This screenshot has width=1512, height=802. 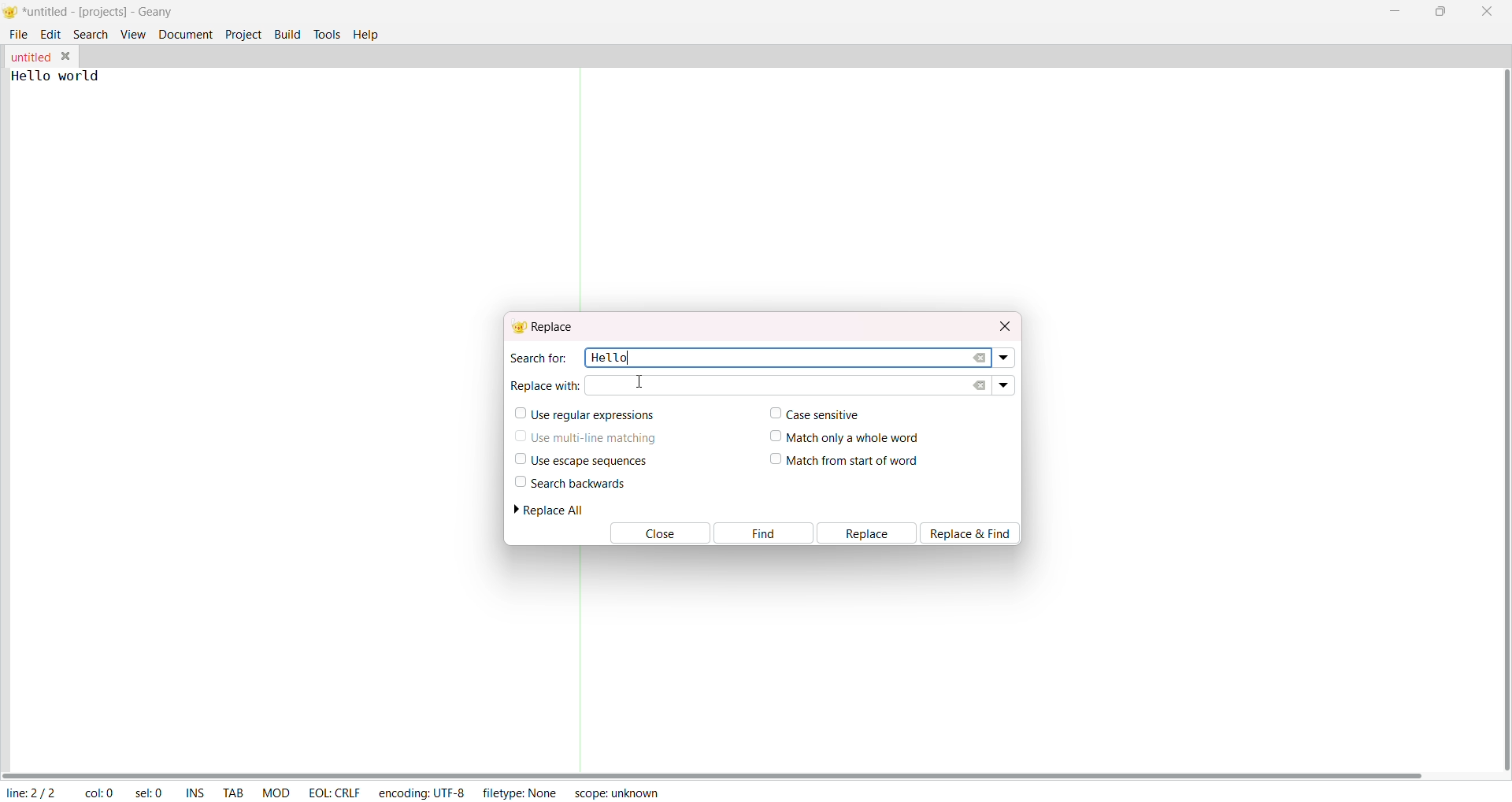 I want to click on use regular expressions, so click(x=586, y=415).